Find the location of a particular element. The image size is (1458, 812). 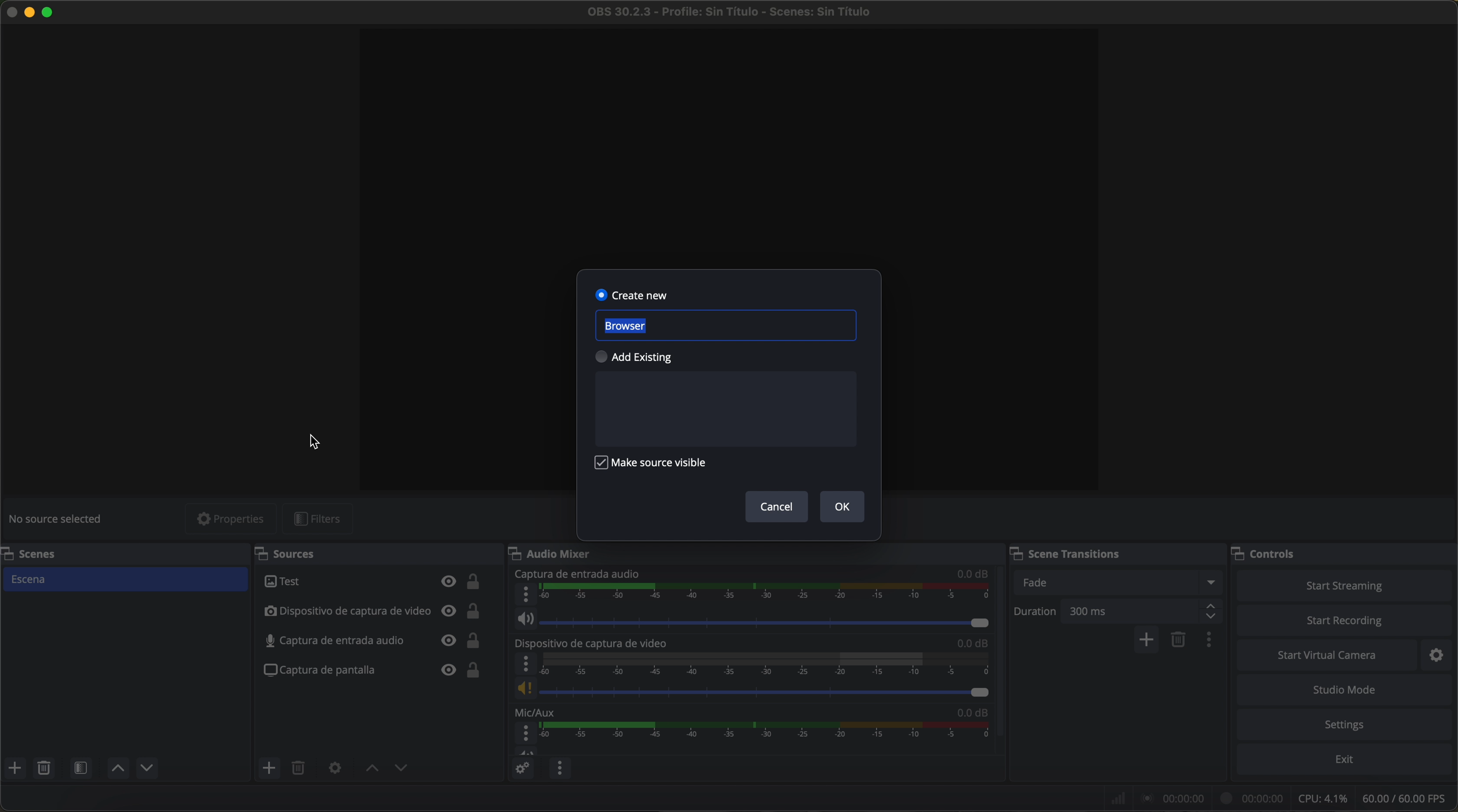

no source selected is located at coordinates (59, 518).